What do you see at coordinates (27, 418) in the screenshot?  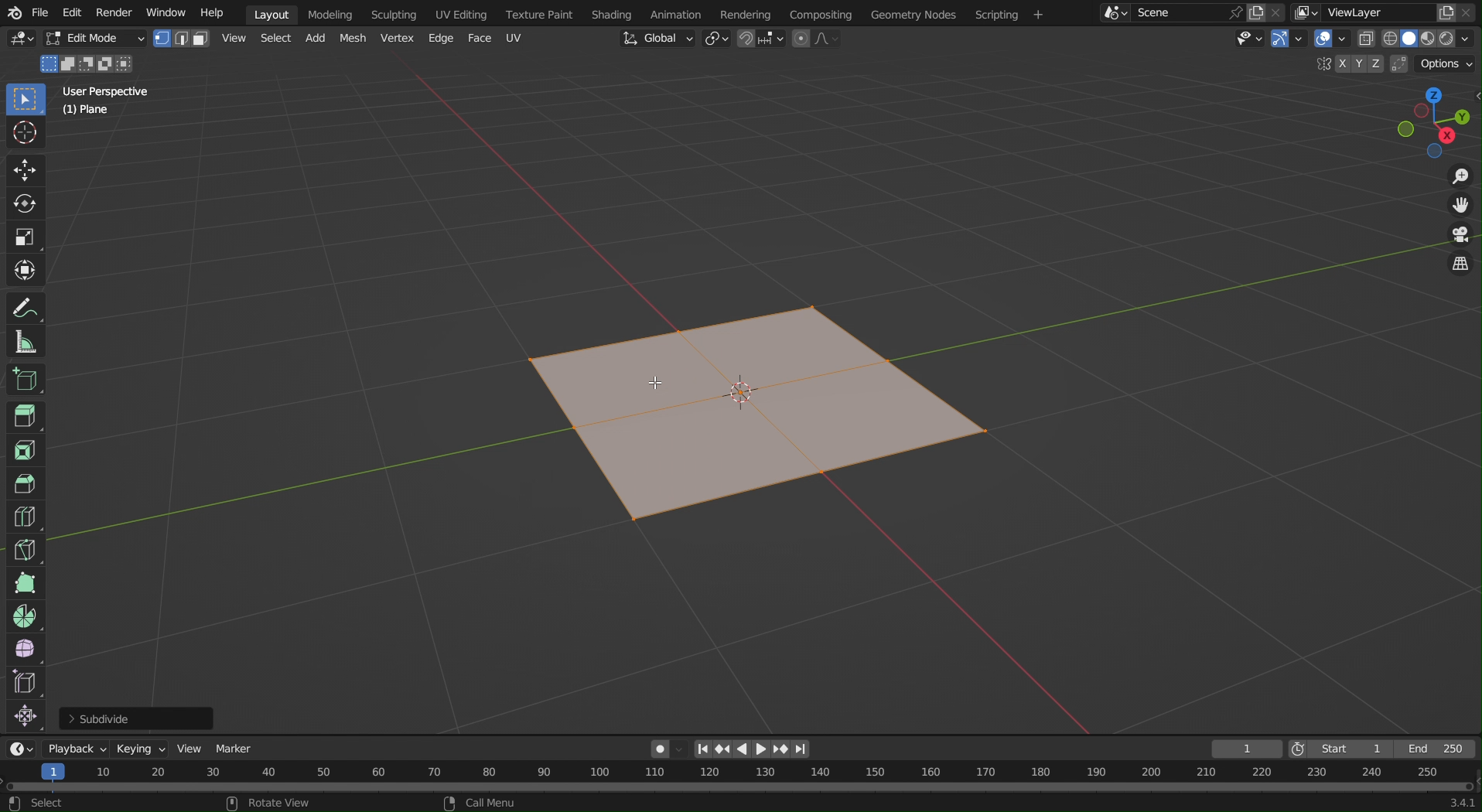 I see `Extrude Region` at bounding box center [27, 418].